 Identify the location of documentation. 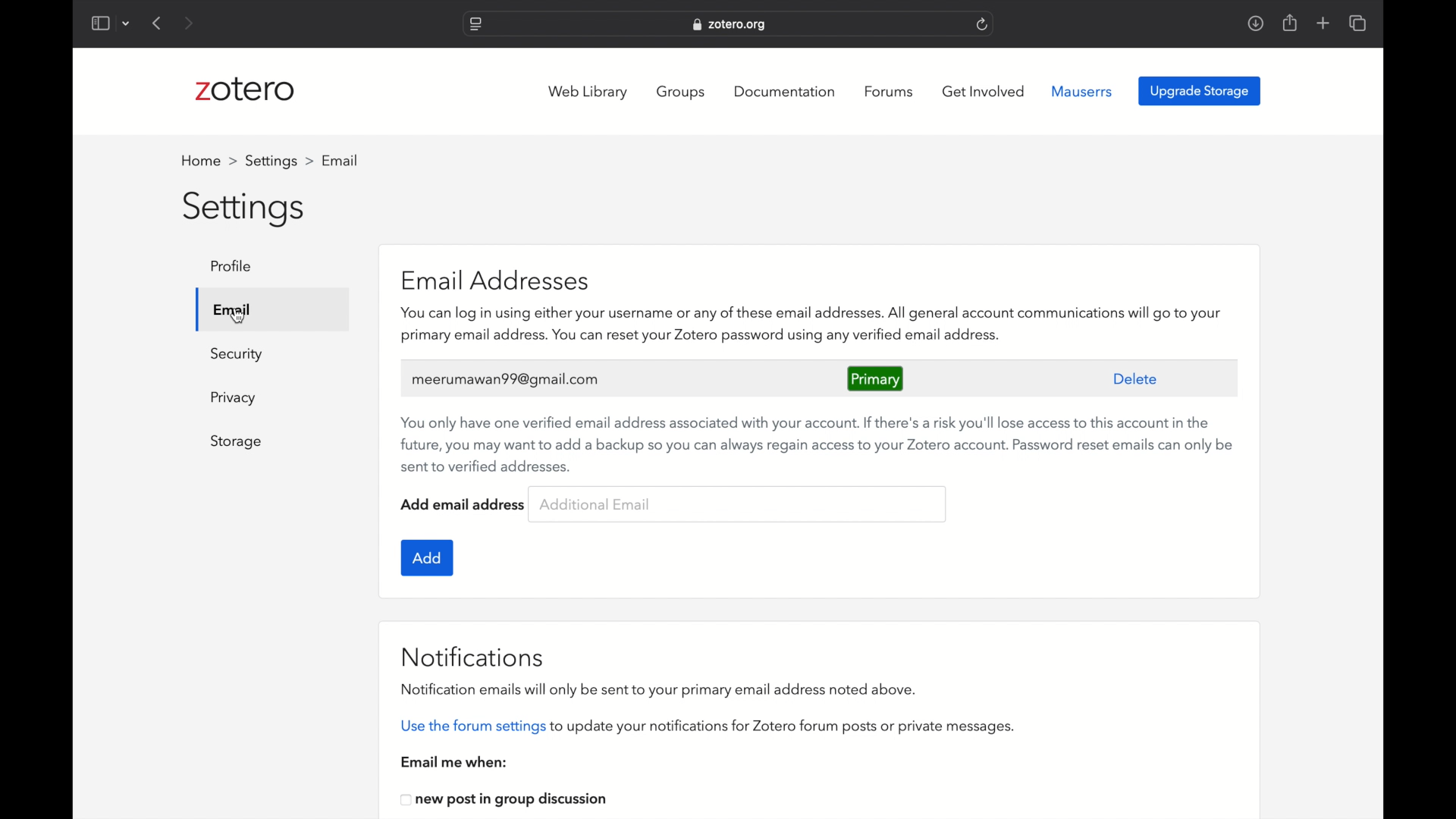
(784, 91).